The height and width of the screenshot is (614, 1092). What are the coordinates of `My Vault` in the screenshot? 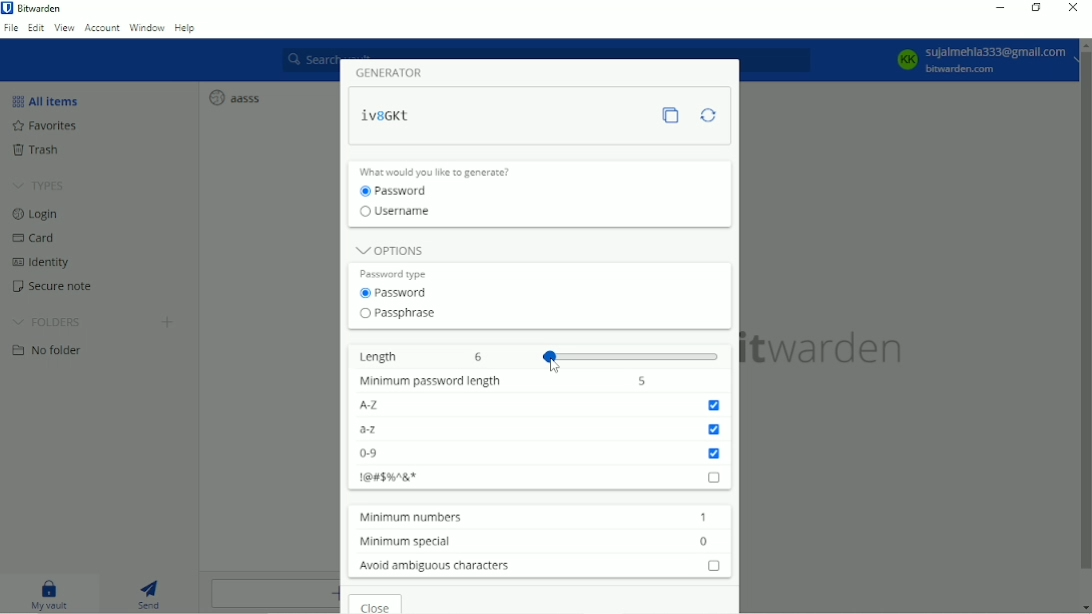 It's located at (53, 595).